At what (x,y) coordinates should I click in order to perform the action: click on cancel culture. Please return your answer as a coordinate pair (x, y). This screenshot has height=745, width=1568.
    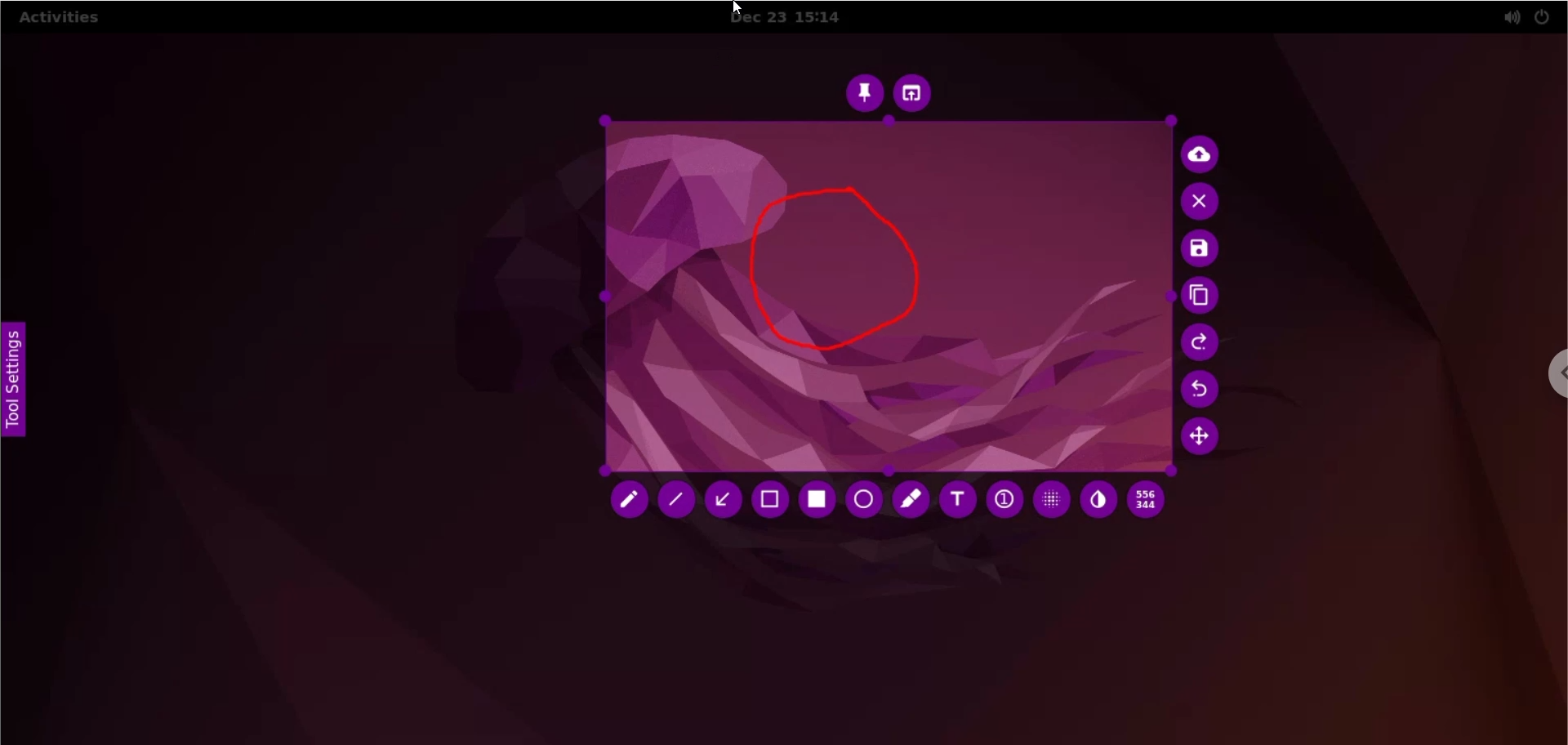
    Looking at the image, I should click on (1203, 203).